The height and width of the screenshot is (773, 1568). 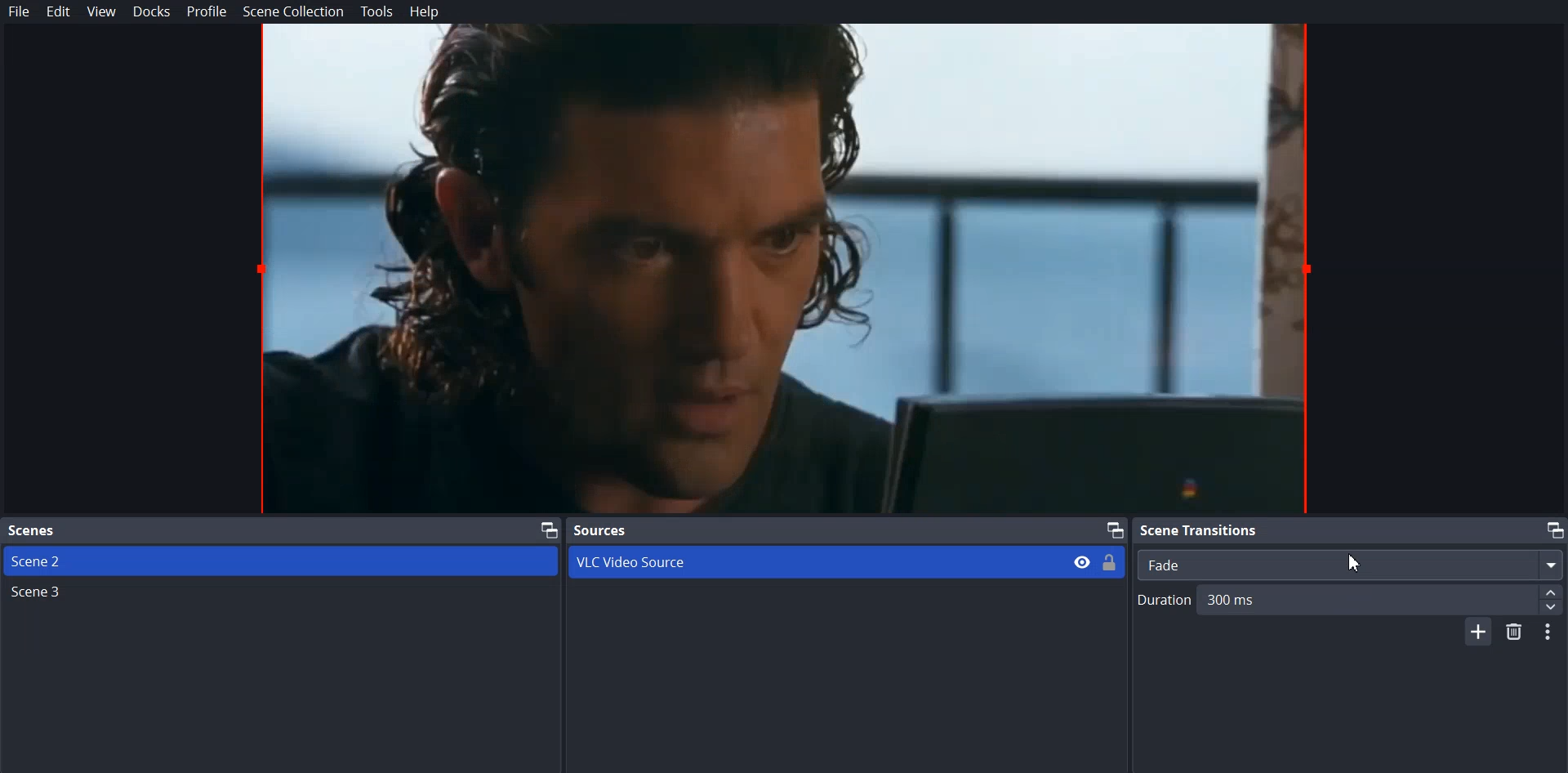 What do you see at coordinates (812, 561) in the screenshot?
I see `VLC Video Source` at bounding box center [812, 561].